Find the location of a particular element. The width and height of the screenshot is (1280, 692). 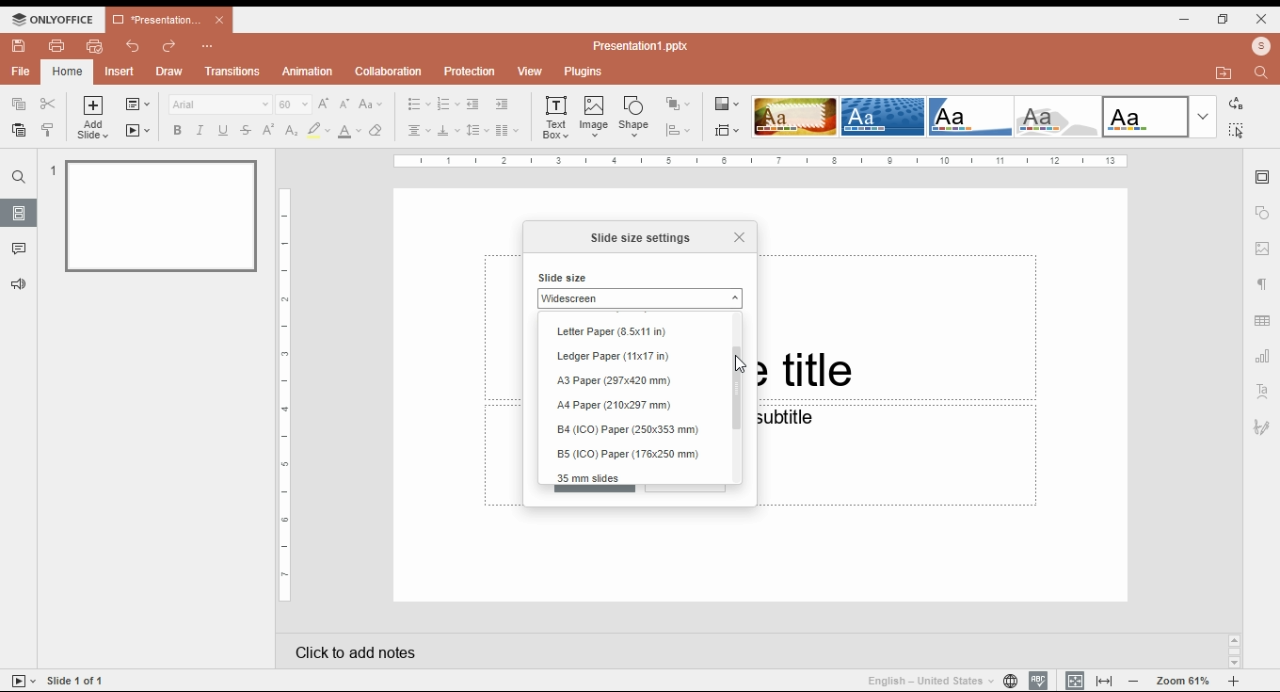

slide them option is located at coordinates (795, 116).